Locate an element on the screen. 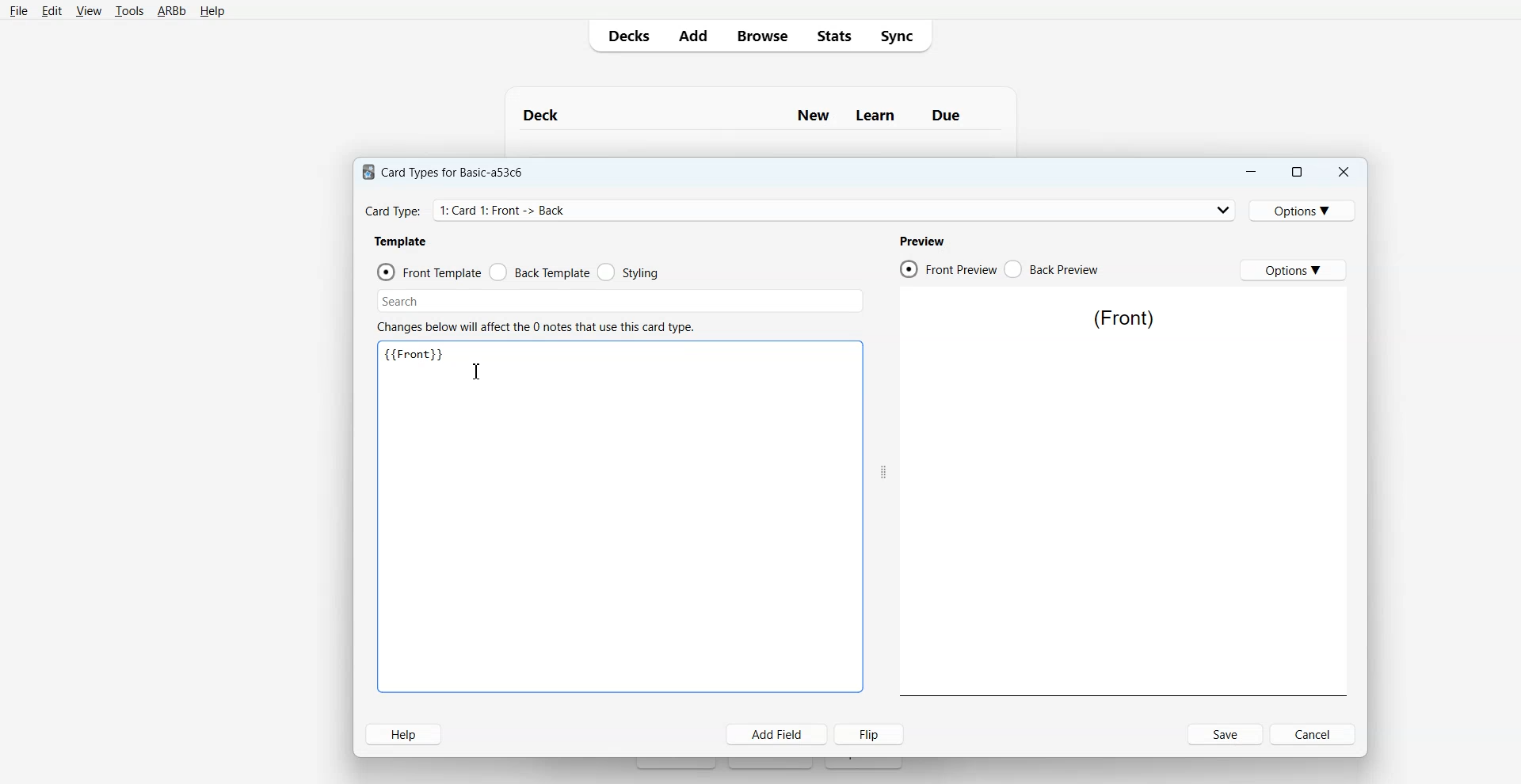 This screenshot has height=784, width=1521. Text Cursor is located at coordinates (478, 372).